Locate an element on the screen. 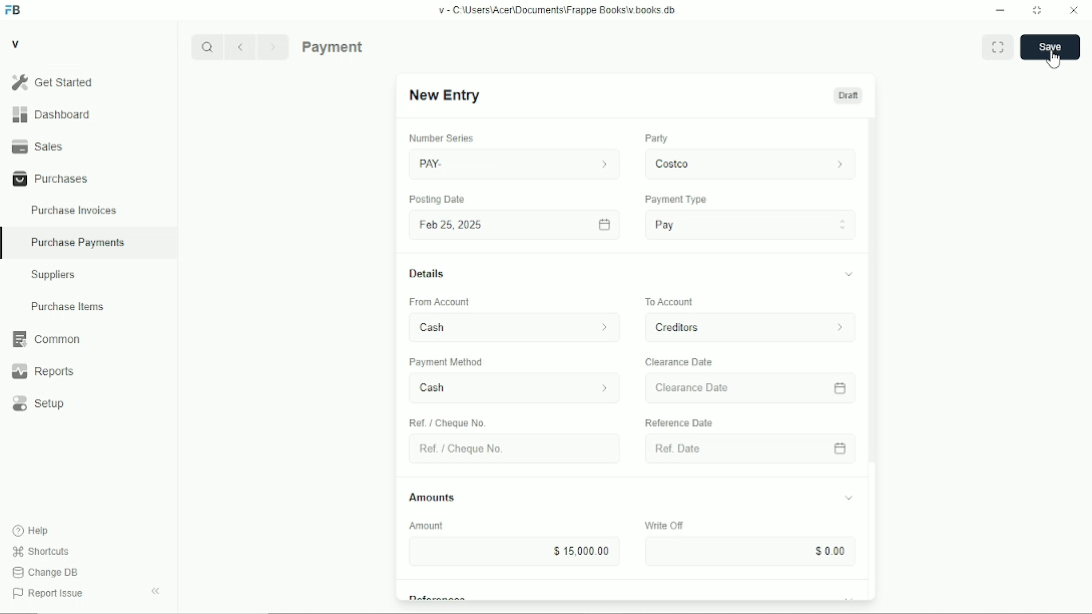 The image size is (1092, 614). Draft is located at coordinates (848, 95).